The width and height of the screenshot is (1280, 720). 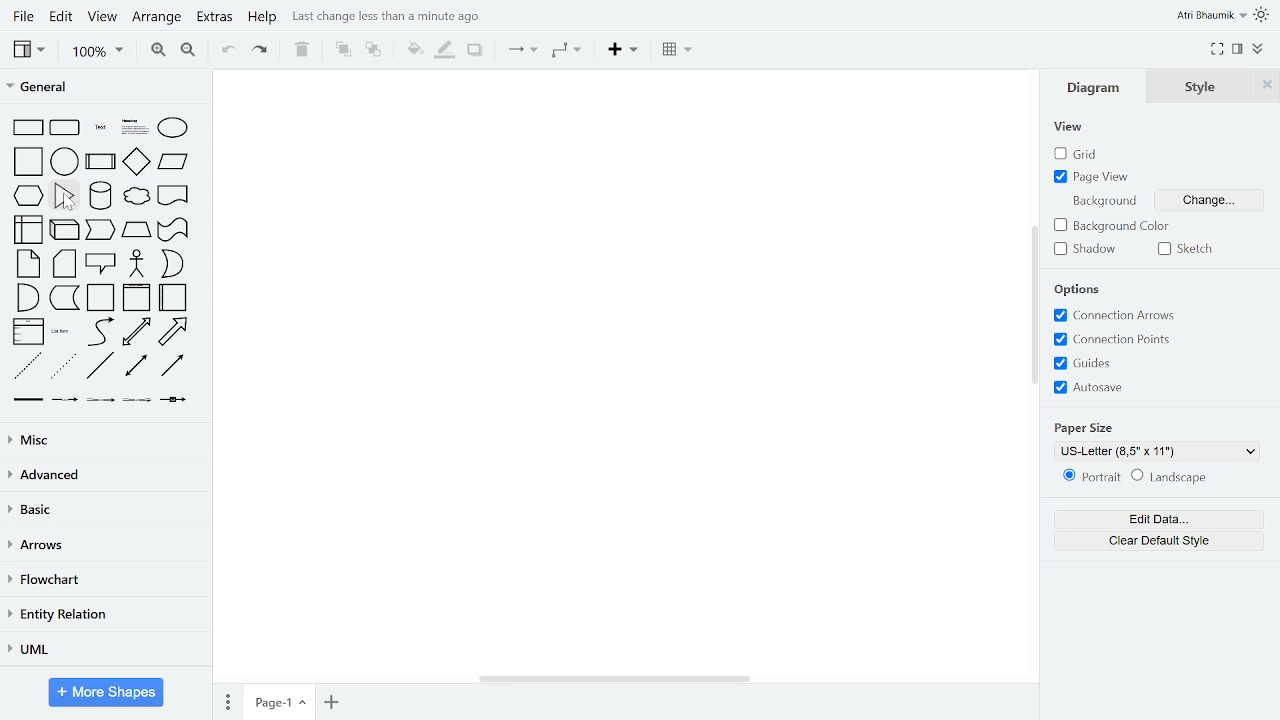 What do you see at coordinates (104, 17) in the screenshot?
I see `view` at bounding box center [104, 17].